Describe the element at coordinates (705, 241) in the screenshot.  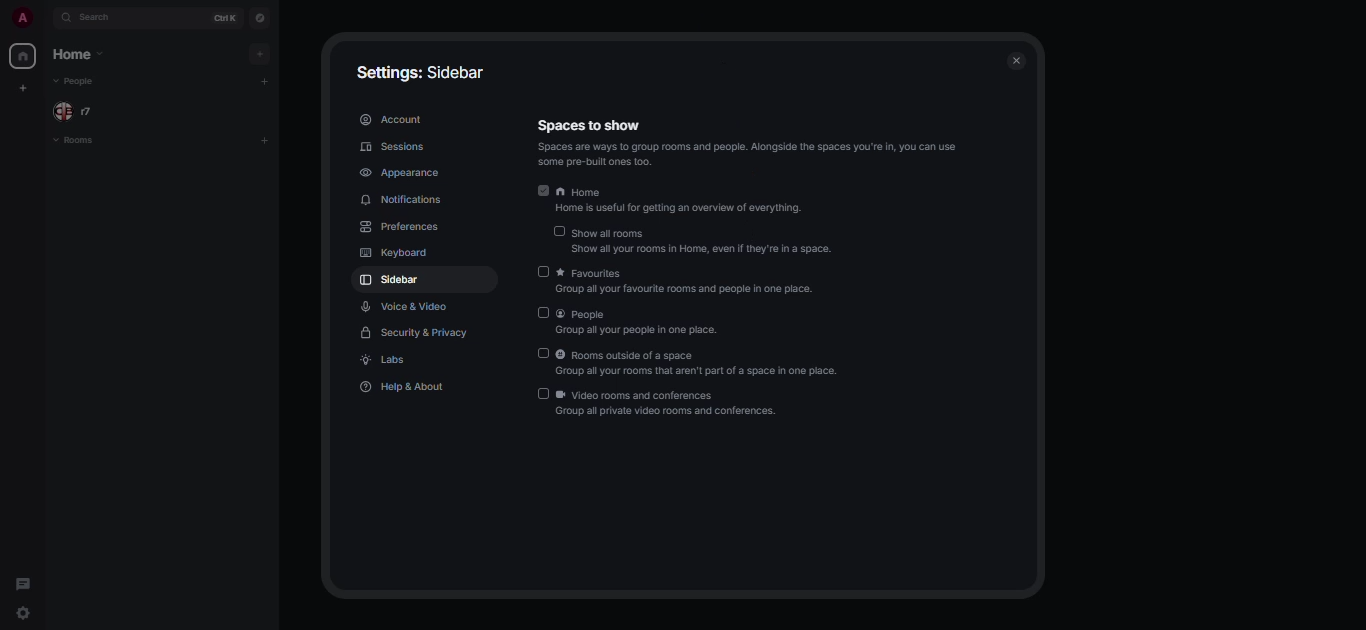
I see `show all rooms` at that location.